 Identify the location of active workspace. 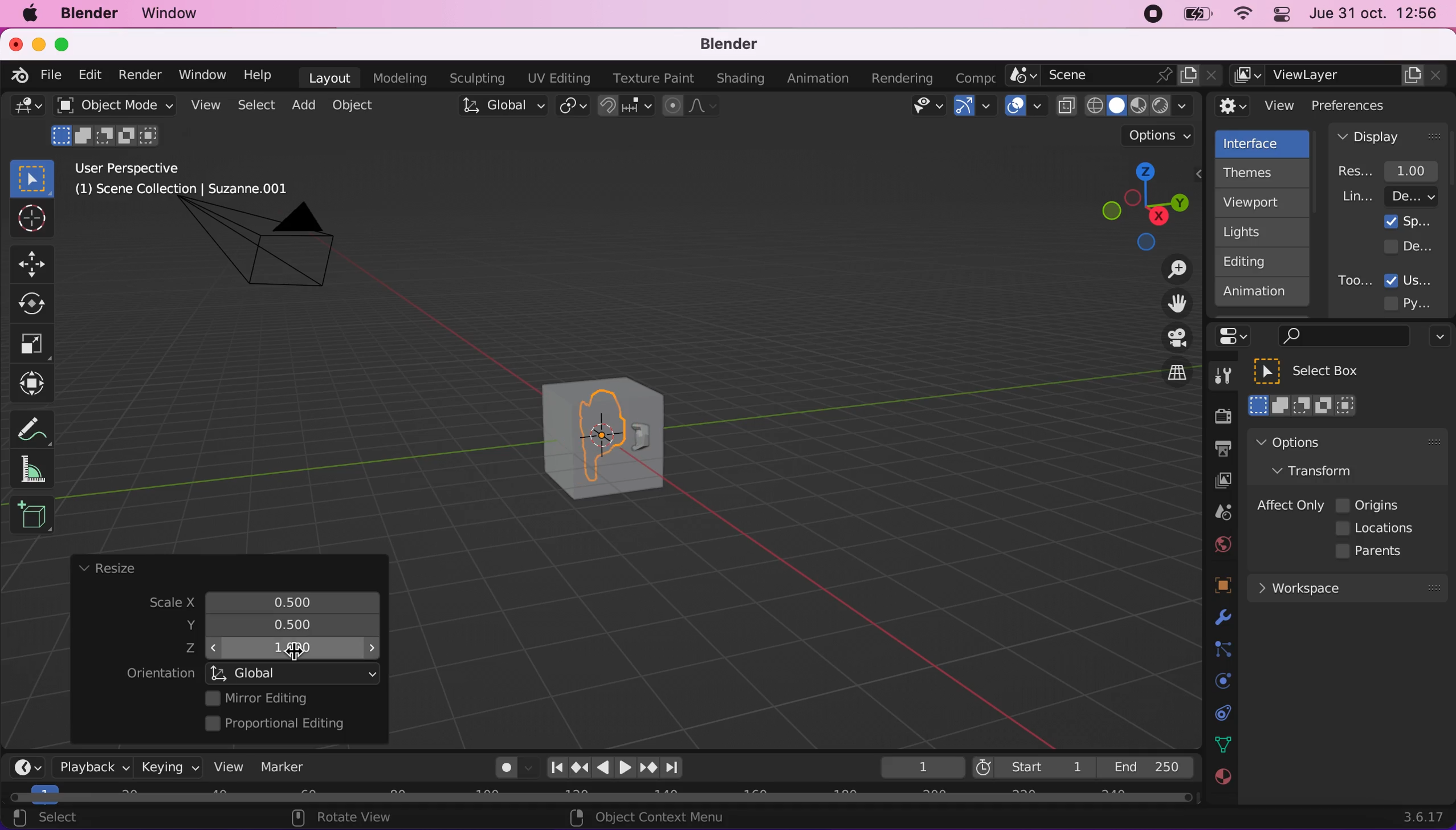
(971, 76).